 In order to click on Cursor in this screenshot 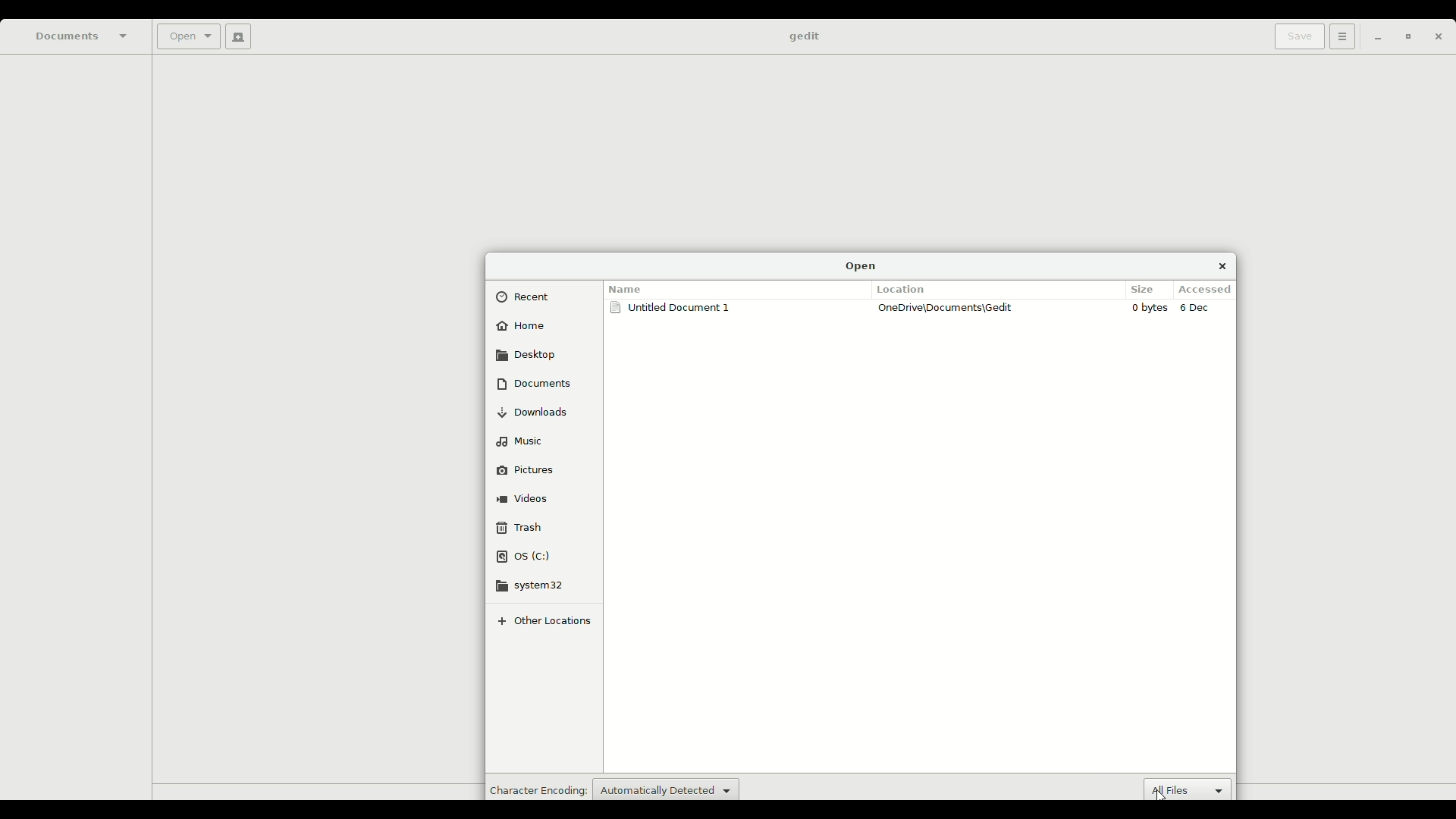, I will do `click(1157, 792)`.